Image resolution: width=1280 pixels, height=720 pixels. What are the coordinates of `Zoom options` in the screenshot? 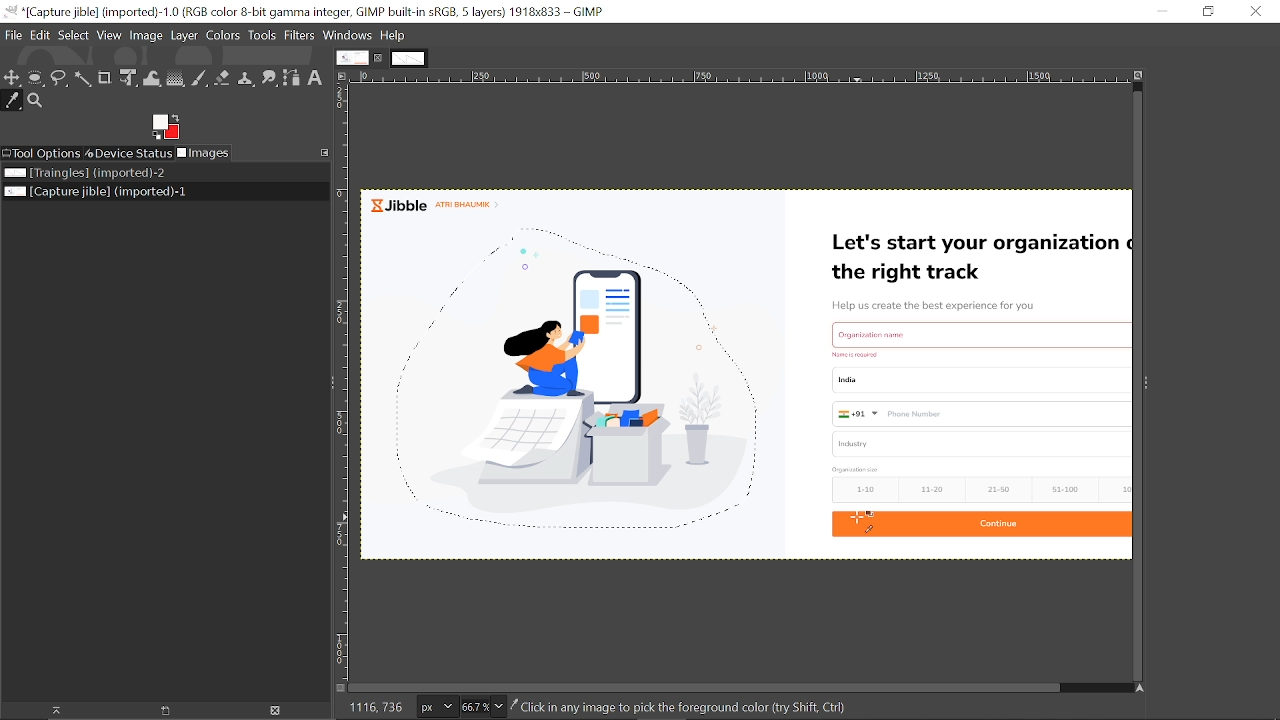 It's located at (500, 706).